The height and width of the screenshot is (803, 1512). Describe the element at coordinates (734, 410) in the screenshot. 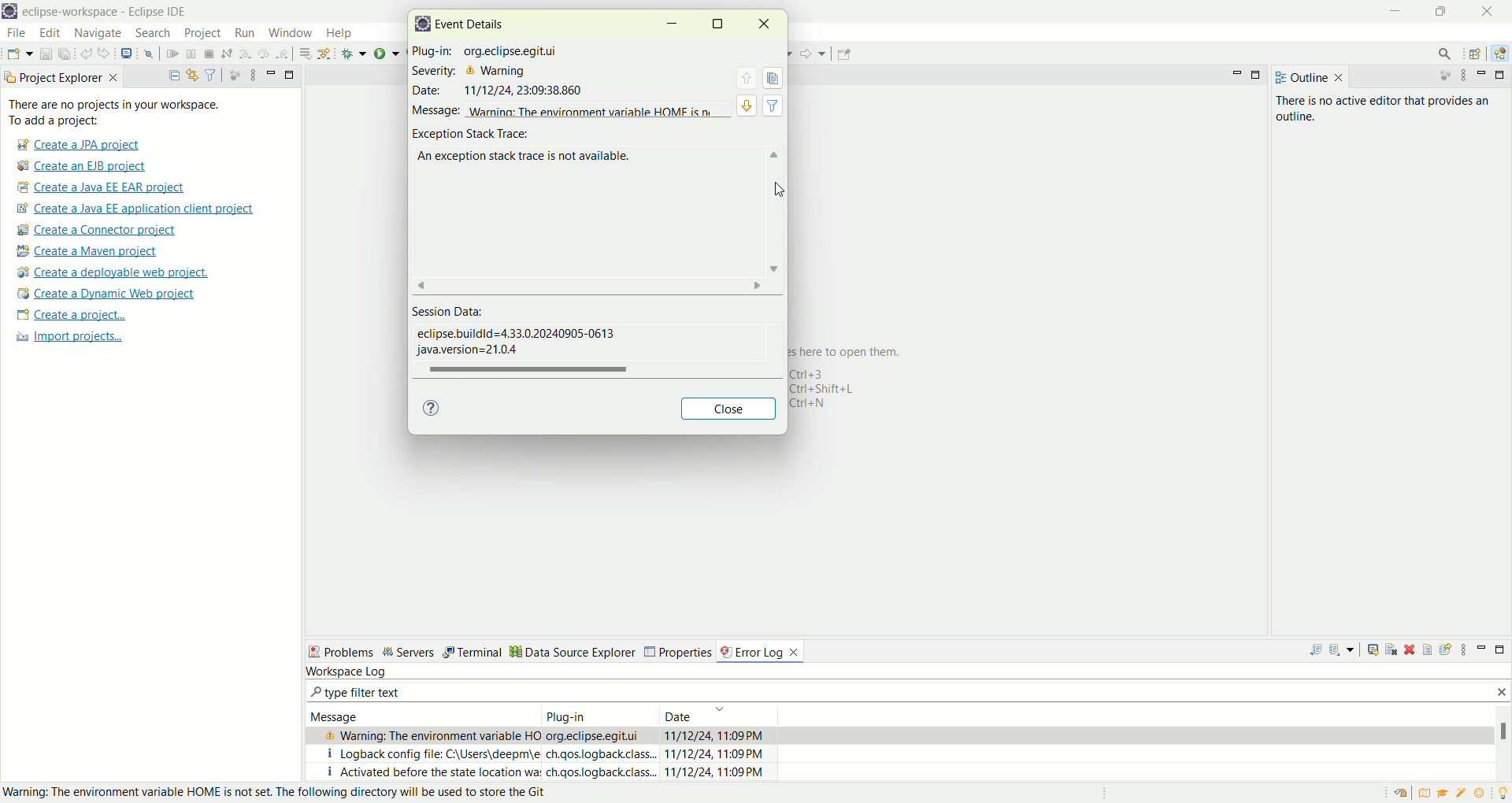

I see `close` at that location.